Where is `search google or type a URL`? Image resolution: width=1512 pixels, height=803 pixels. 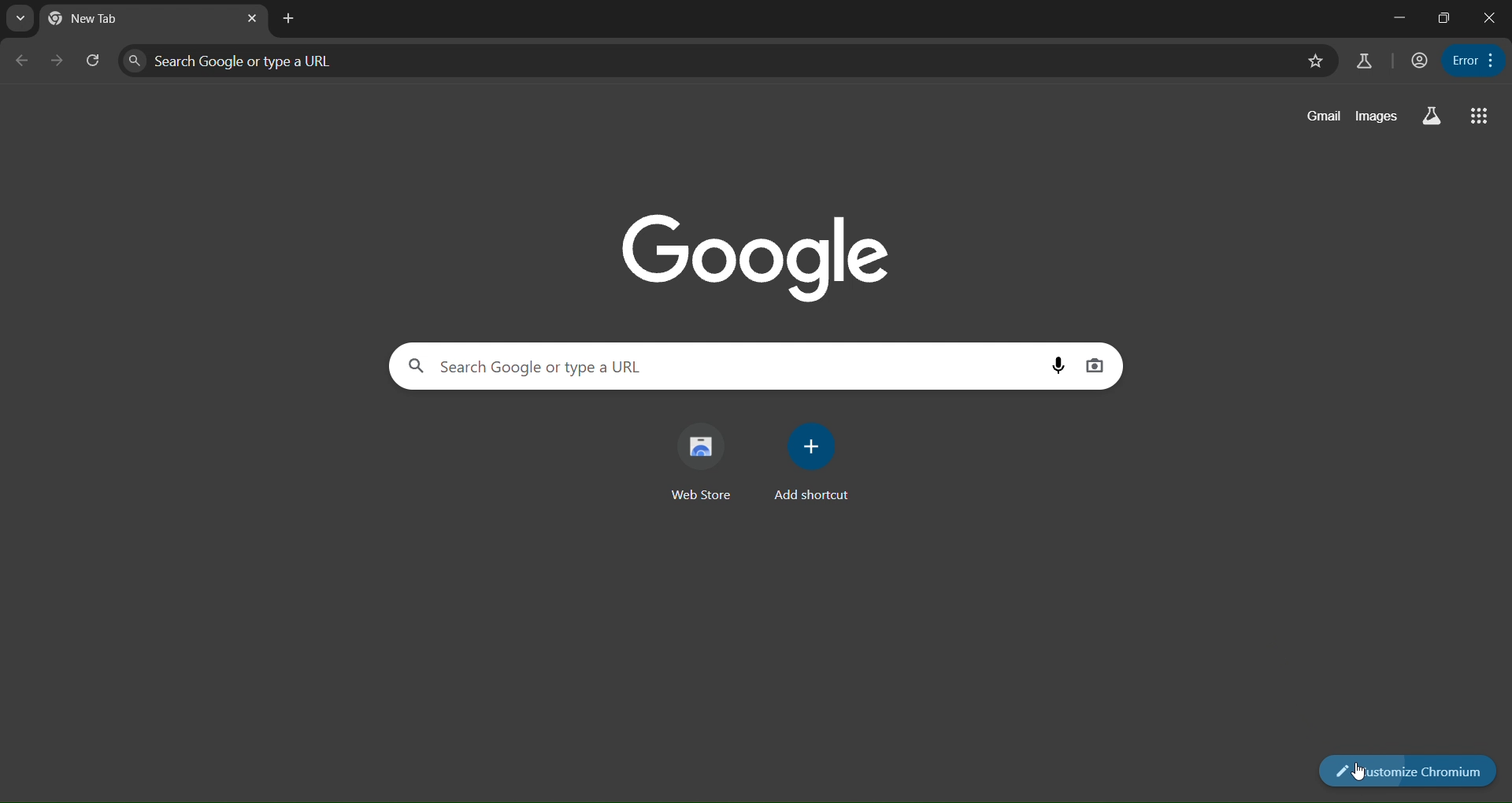 search google or type a URL is located at coordinates (724, 367).